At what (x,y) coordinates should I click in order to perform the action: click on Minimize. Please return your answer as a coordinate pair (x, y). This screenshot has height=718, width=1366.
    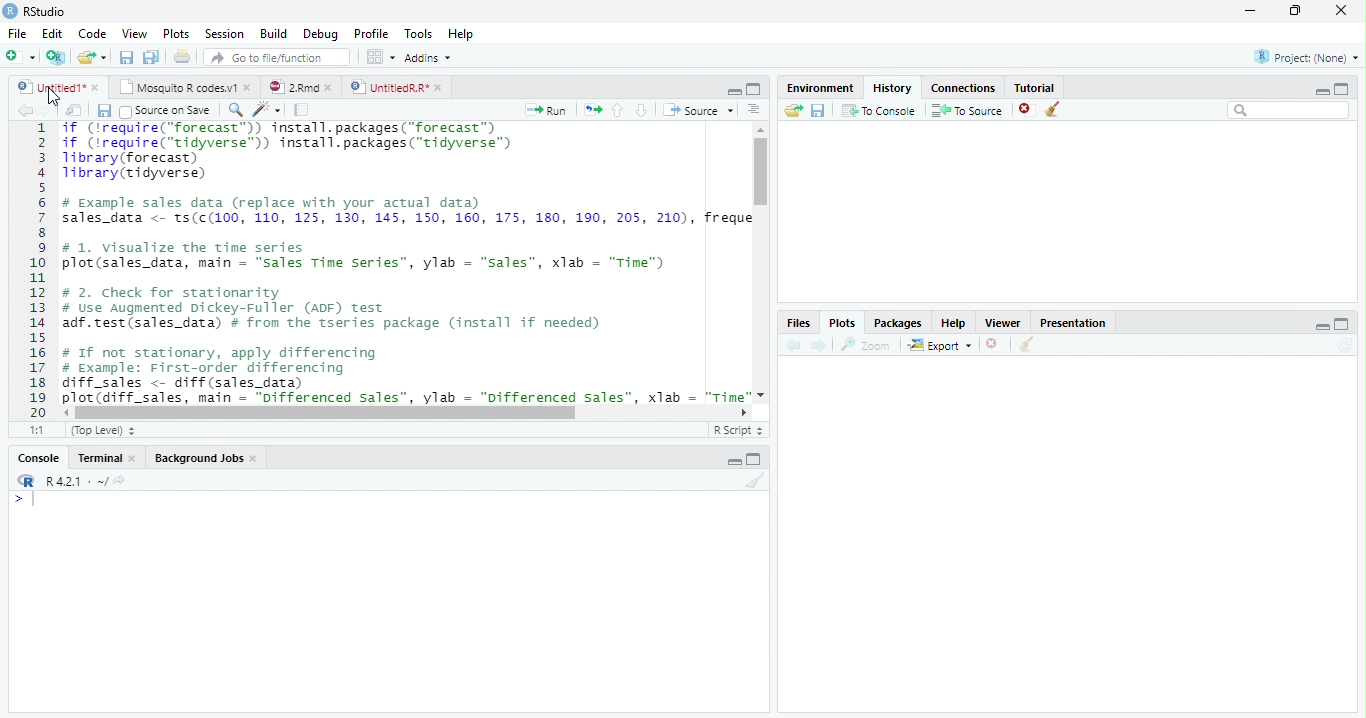
    Looking at the image, I should click on (1321, 89).